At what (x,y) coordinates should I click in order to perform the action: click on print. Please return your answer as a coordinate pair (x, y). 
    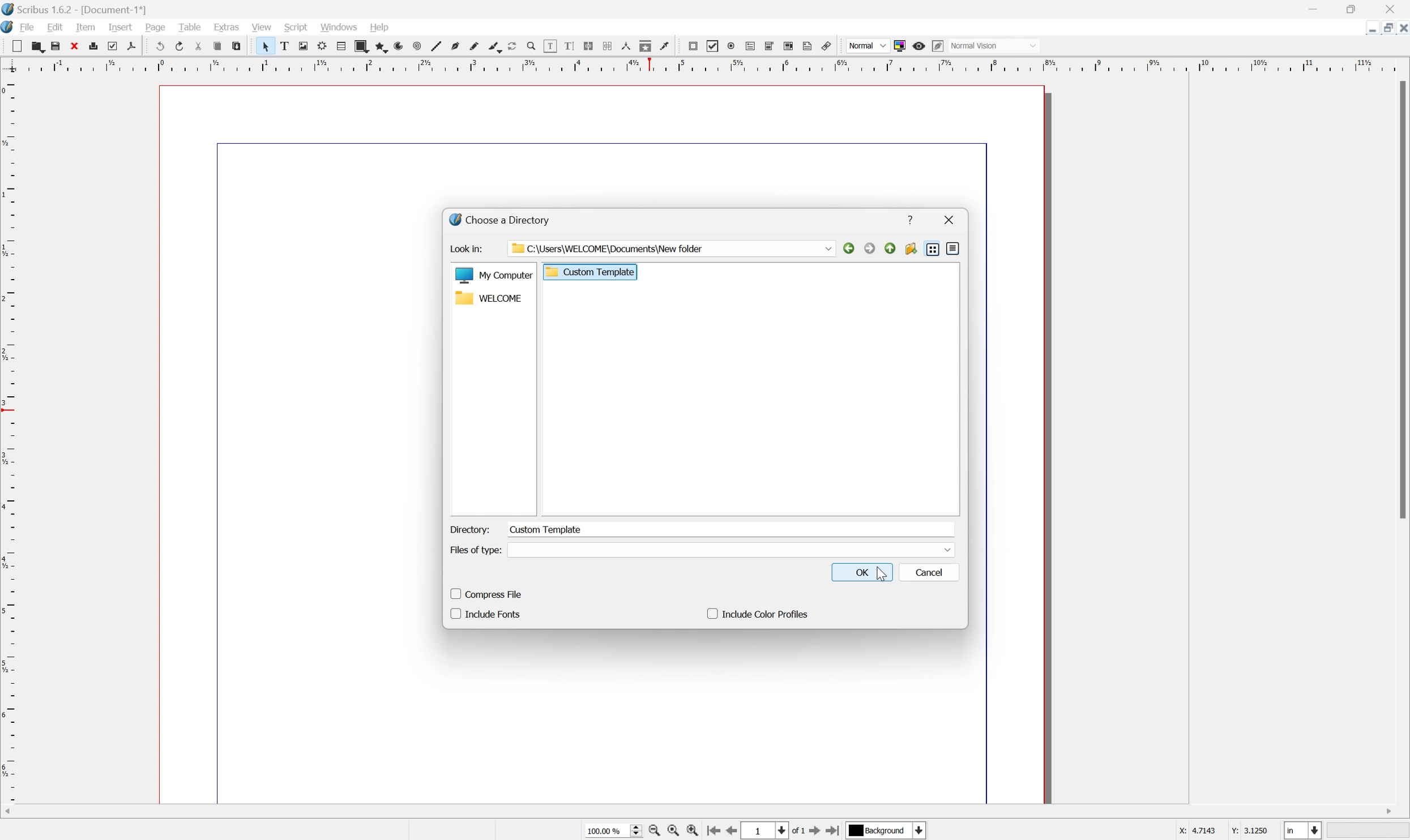
    Looking at the image, I should click on (93, 47).